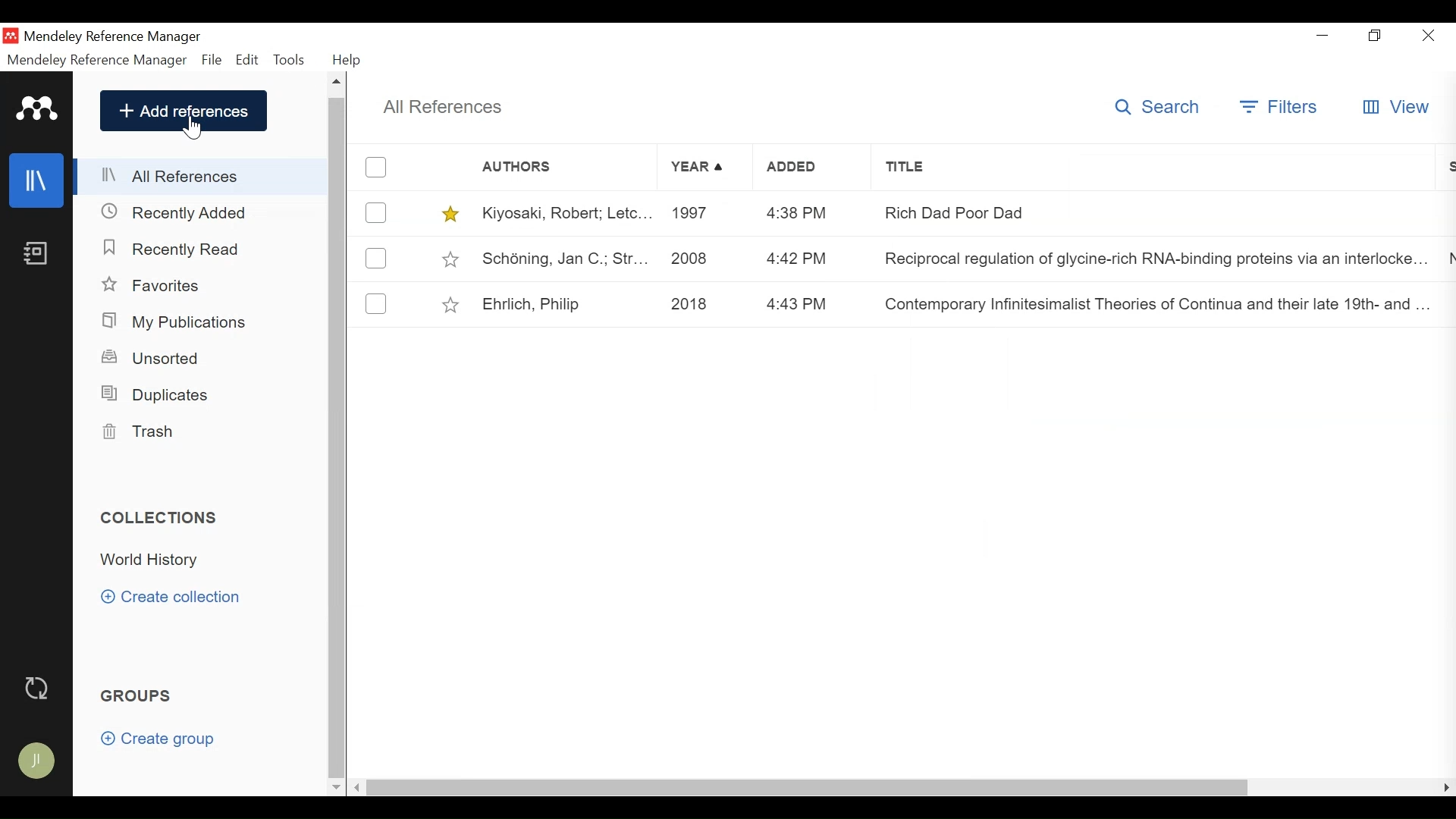 This screenshot has width=1456, height=819. I want to click on Scroll Right, so click(1447, 788).